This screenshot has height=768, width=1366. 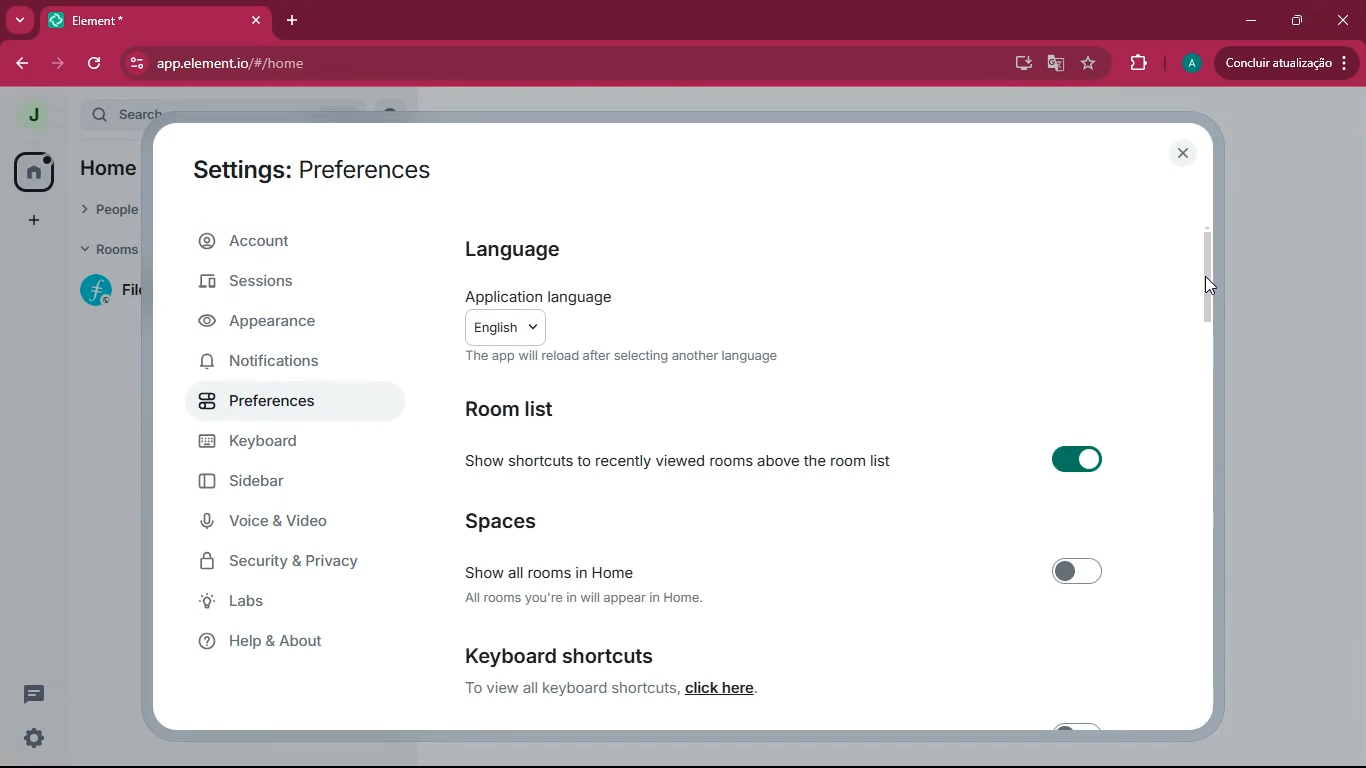 I want to click on sidebar, so click(x=271, y=484).